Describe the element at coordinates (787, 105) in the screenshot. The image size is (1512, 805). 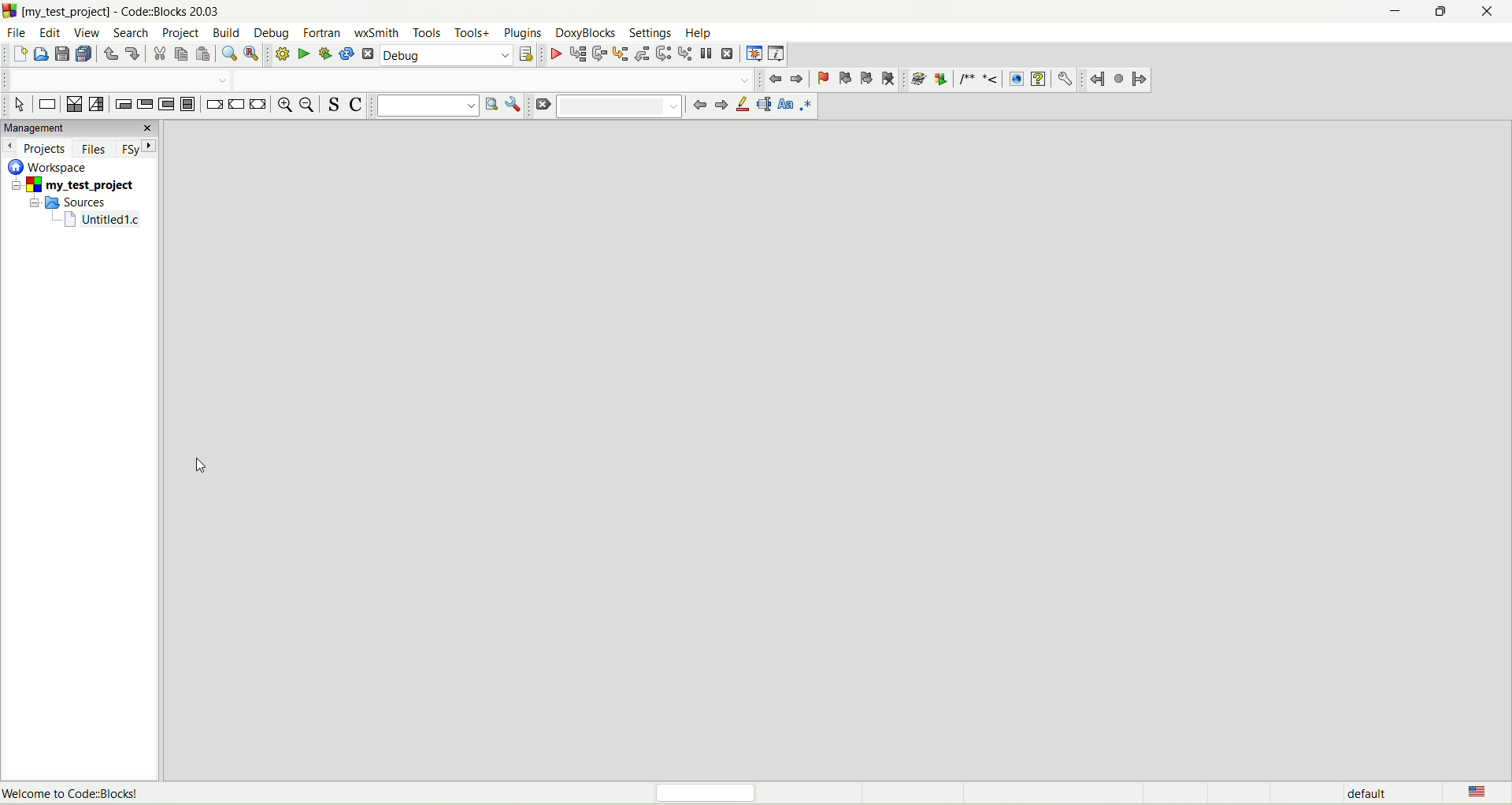
I see `match case` at that location.